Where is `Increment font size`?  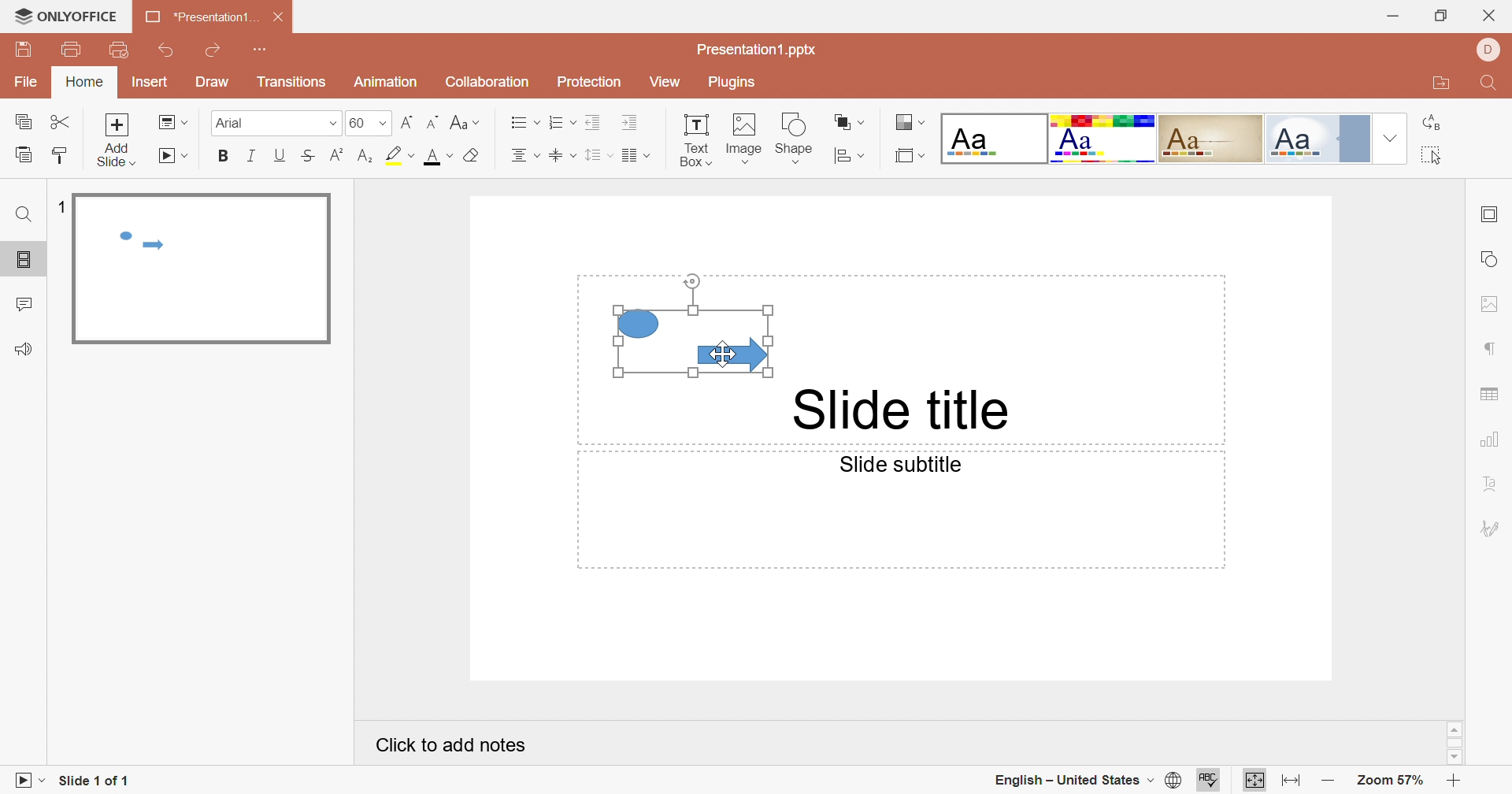 Increment font size is located at coordinates (407, 121).